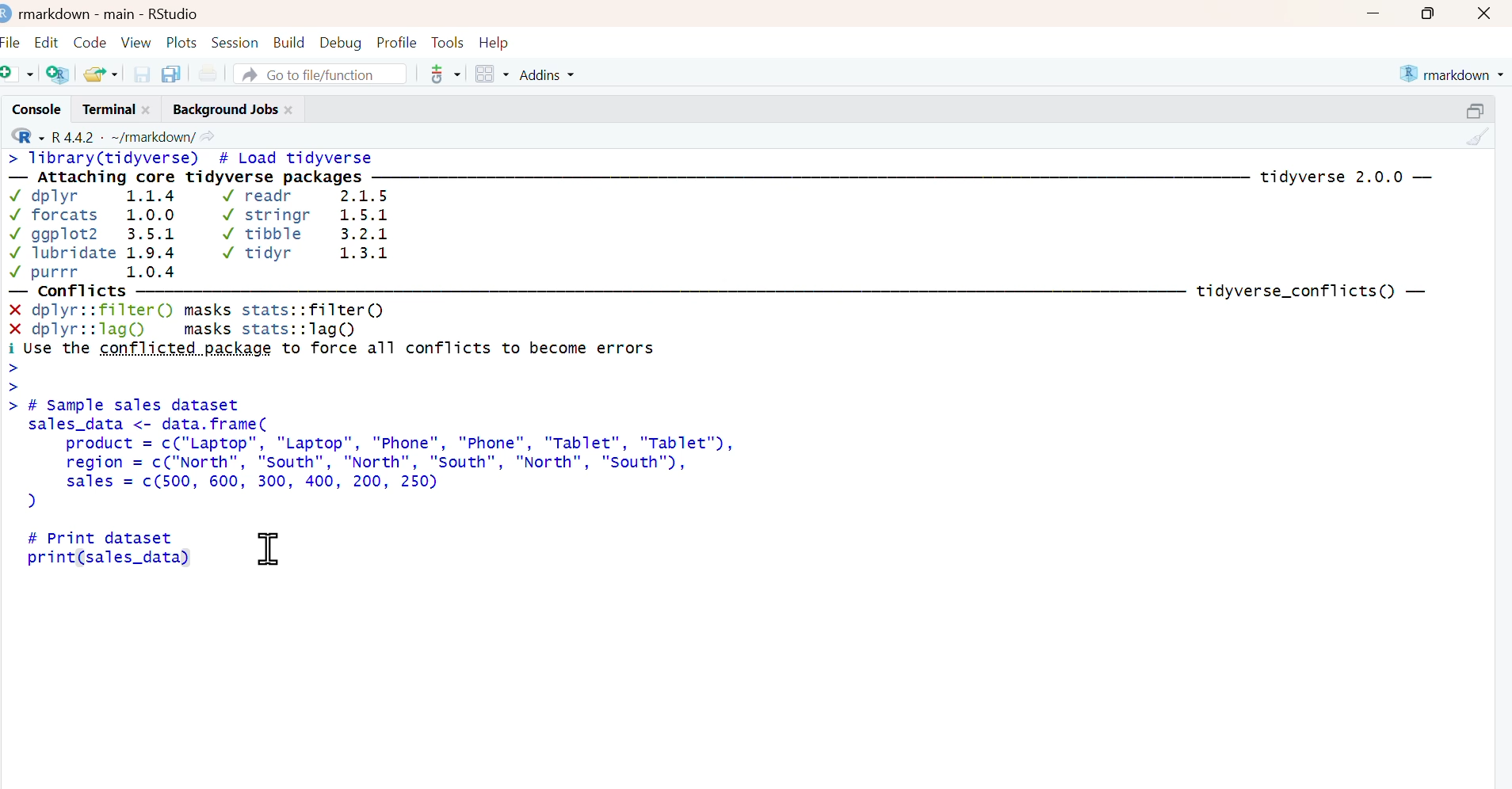  What do you see at coordinates (1487, 13) in the screenshot?
I see `close` at bounding box center [1487, 13].